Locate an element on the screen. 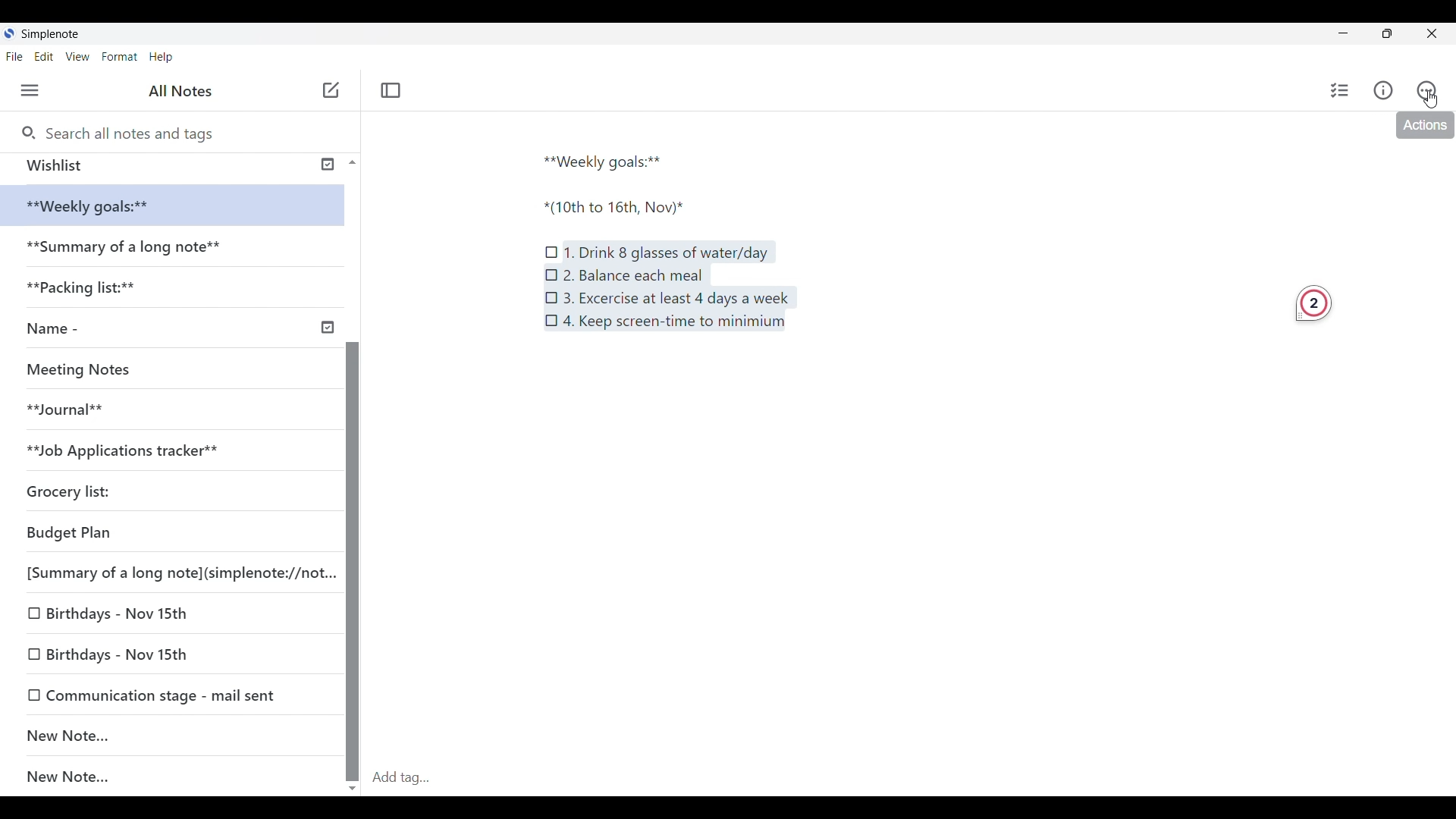  New note... is located at coordinates (180, 777).